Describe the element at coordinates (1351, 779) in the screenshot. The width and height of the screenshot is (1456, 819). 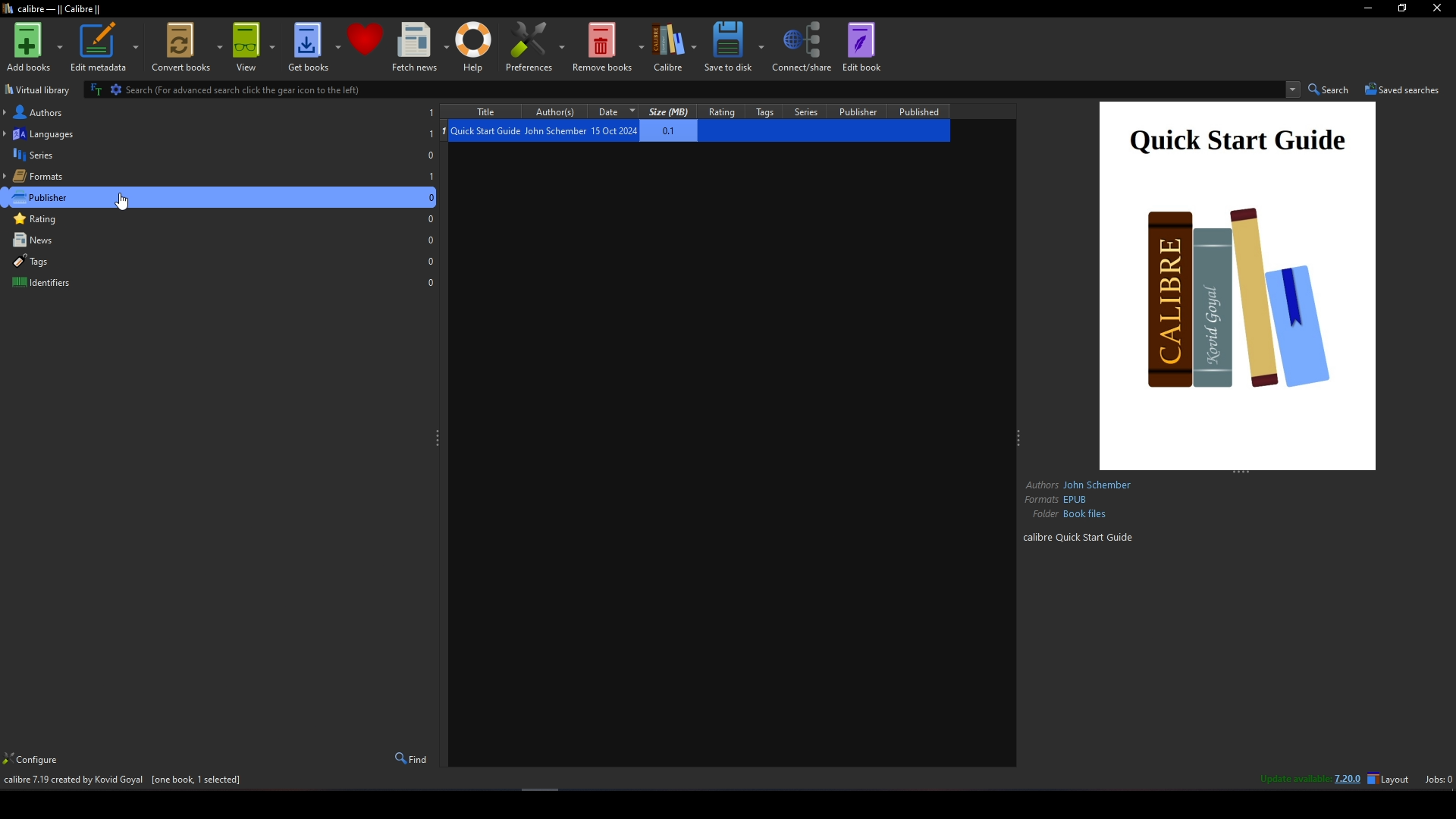
I see `Version` at that location.